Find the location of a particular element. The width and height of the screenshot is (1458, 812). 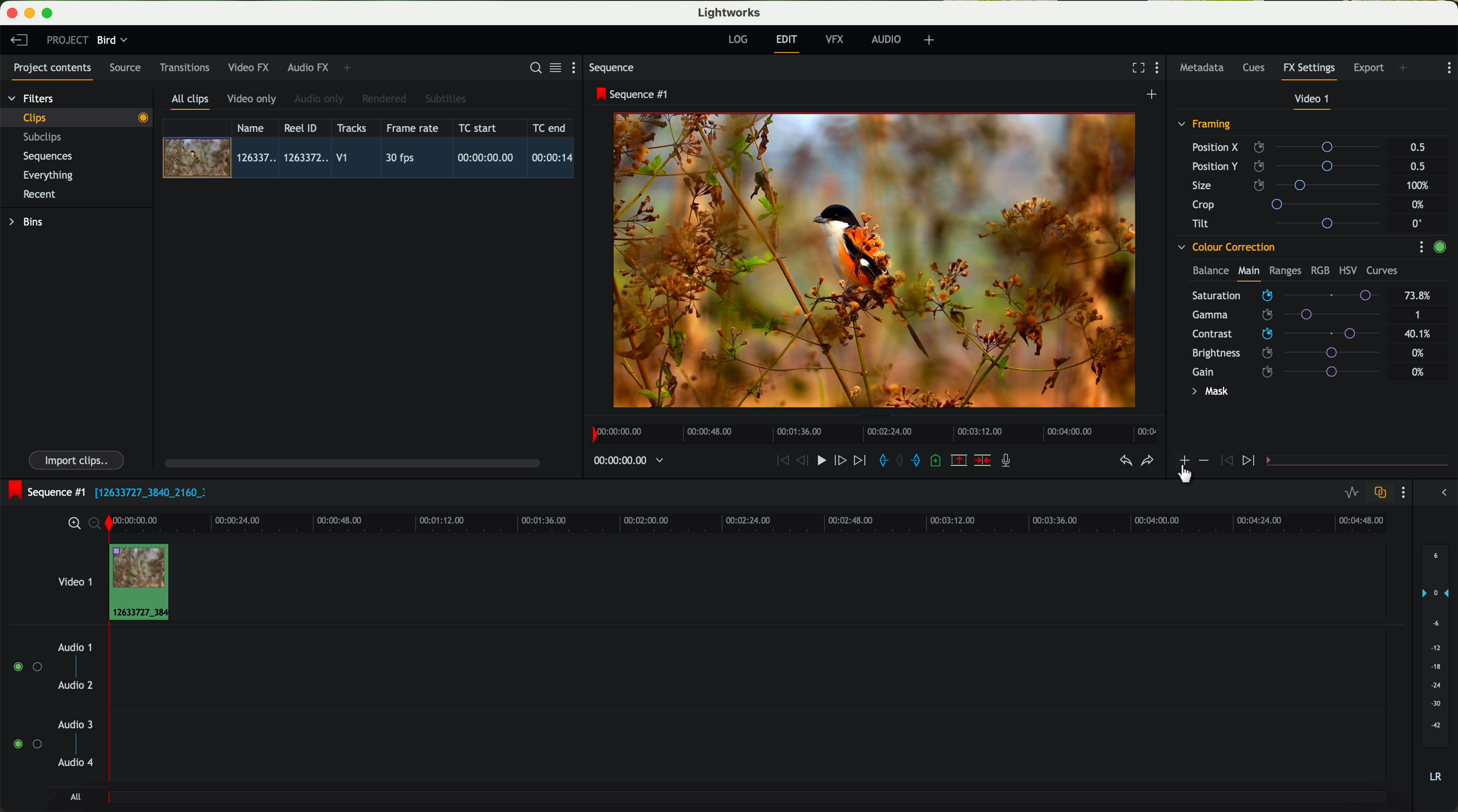

export is located at coordinates (1369, 69).